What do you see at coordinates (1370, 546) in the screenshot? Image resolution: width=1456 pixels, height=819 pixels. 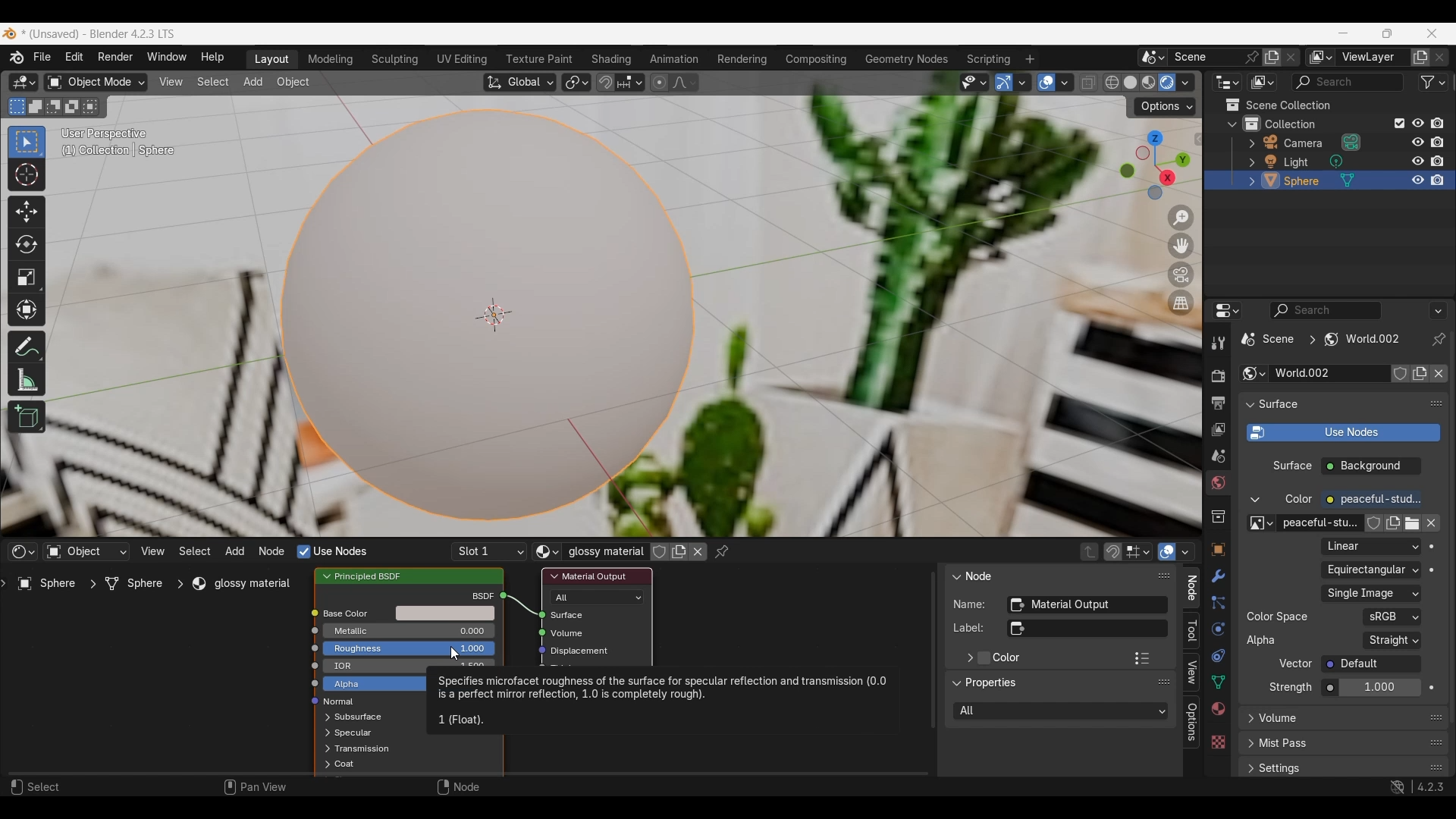 I see `Texture interpolation` at bounding box center [1370, 546].